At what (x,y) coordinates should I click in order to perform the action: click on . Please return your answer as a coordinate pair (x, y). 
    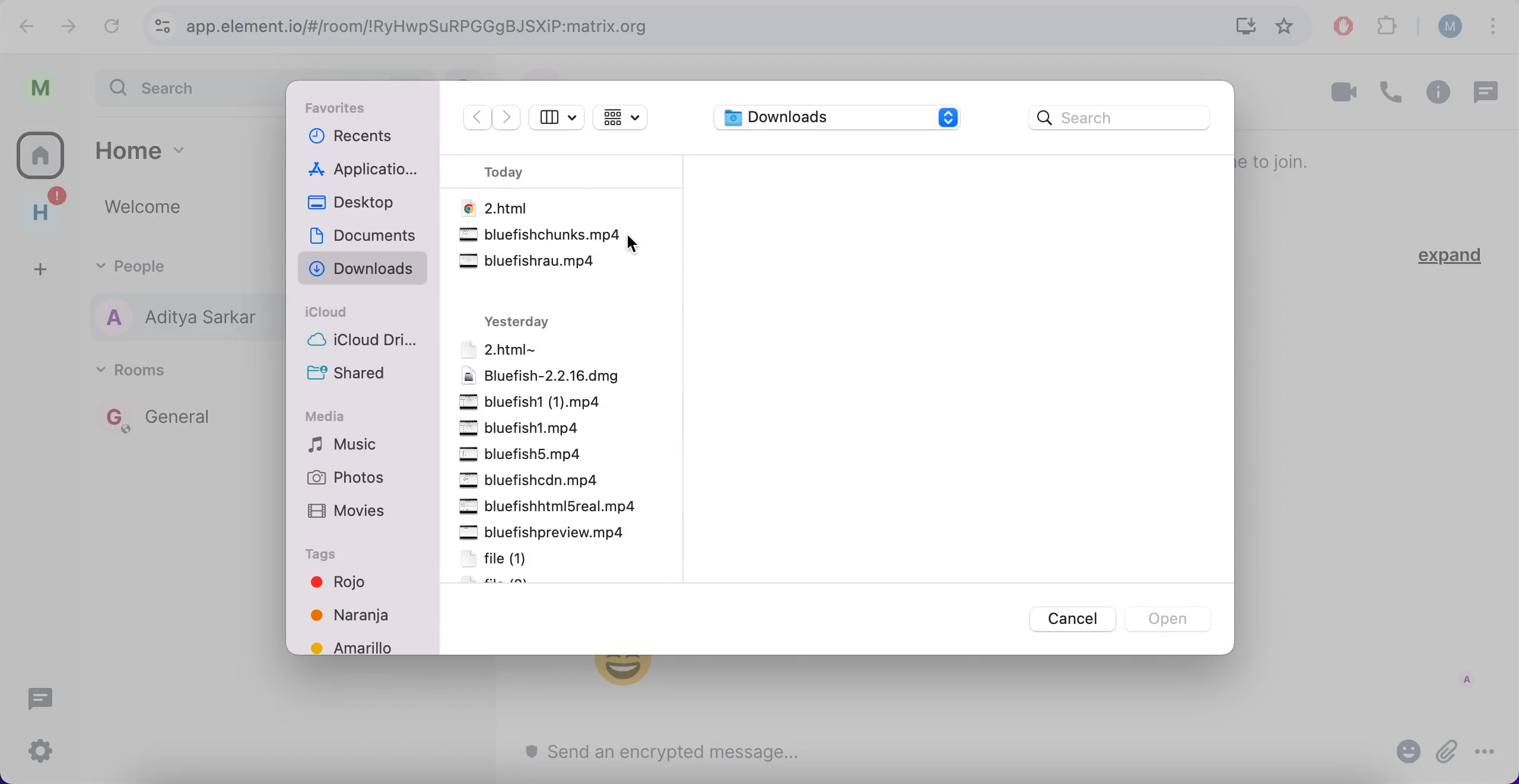
    Looking at the image, I should click on (623, 119).